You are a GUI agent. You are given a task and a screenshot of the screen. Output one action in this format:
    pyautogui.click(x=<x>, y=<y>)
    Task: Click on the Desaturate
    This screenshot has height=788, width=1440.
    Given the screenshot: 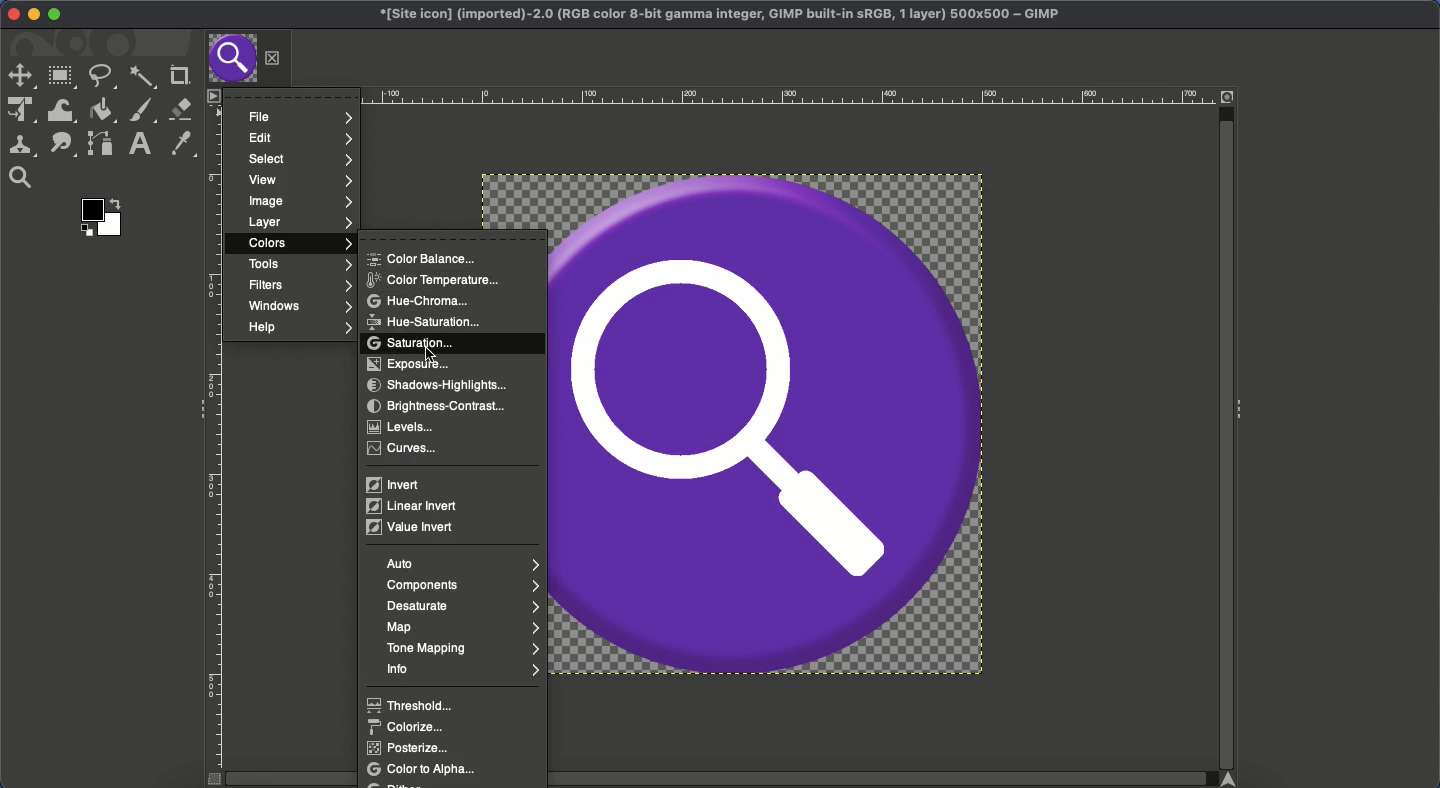 What is the action you would take?
    pyautogui.click(x=467, y=606)
    